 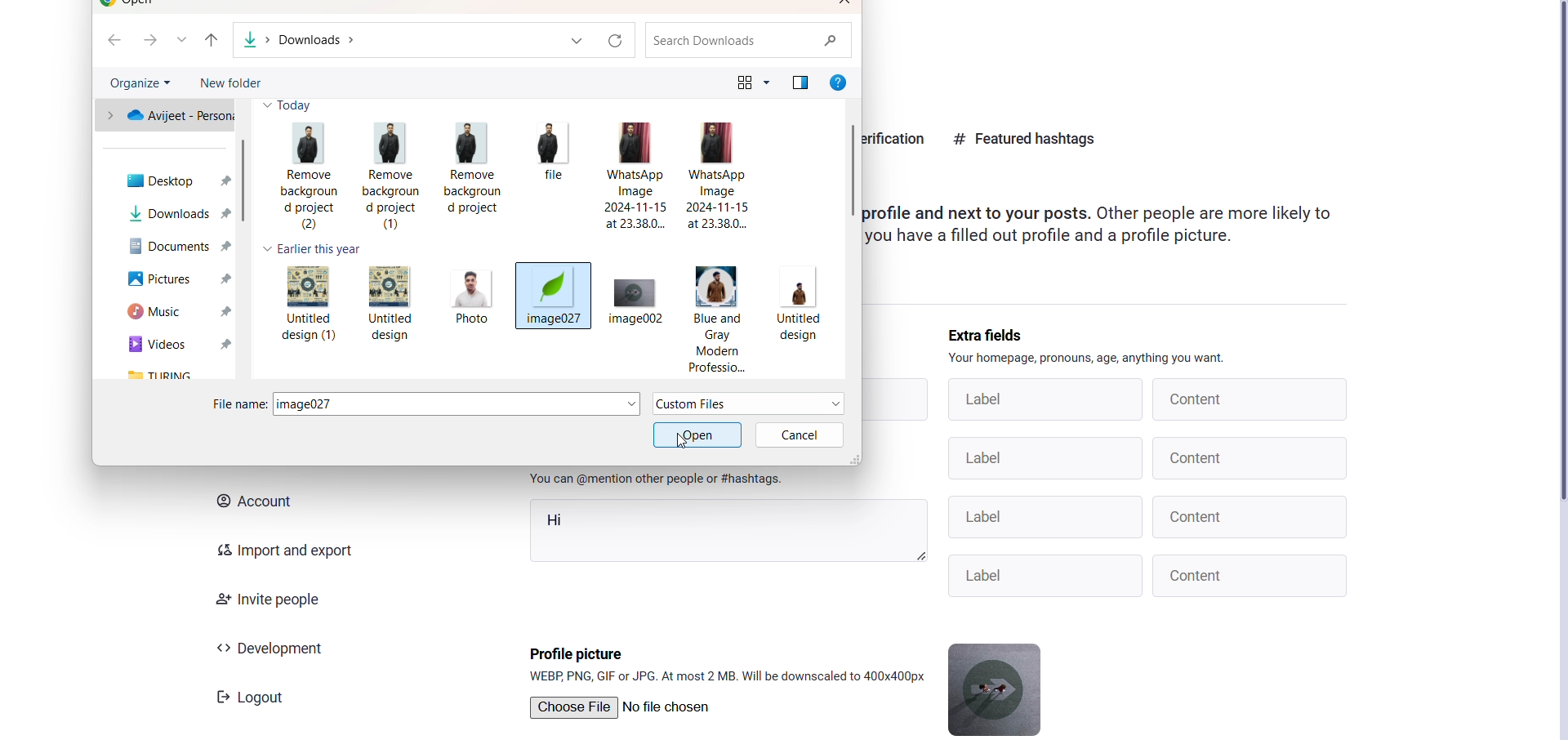 What do you see at coordinates (265, 600) in the screenshot?
I see `invite people` at bounding box center [265, 600].